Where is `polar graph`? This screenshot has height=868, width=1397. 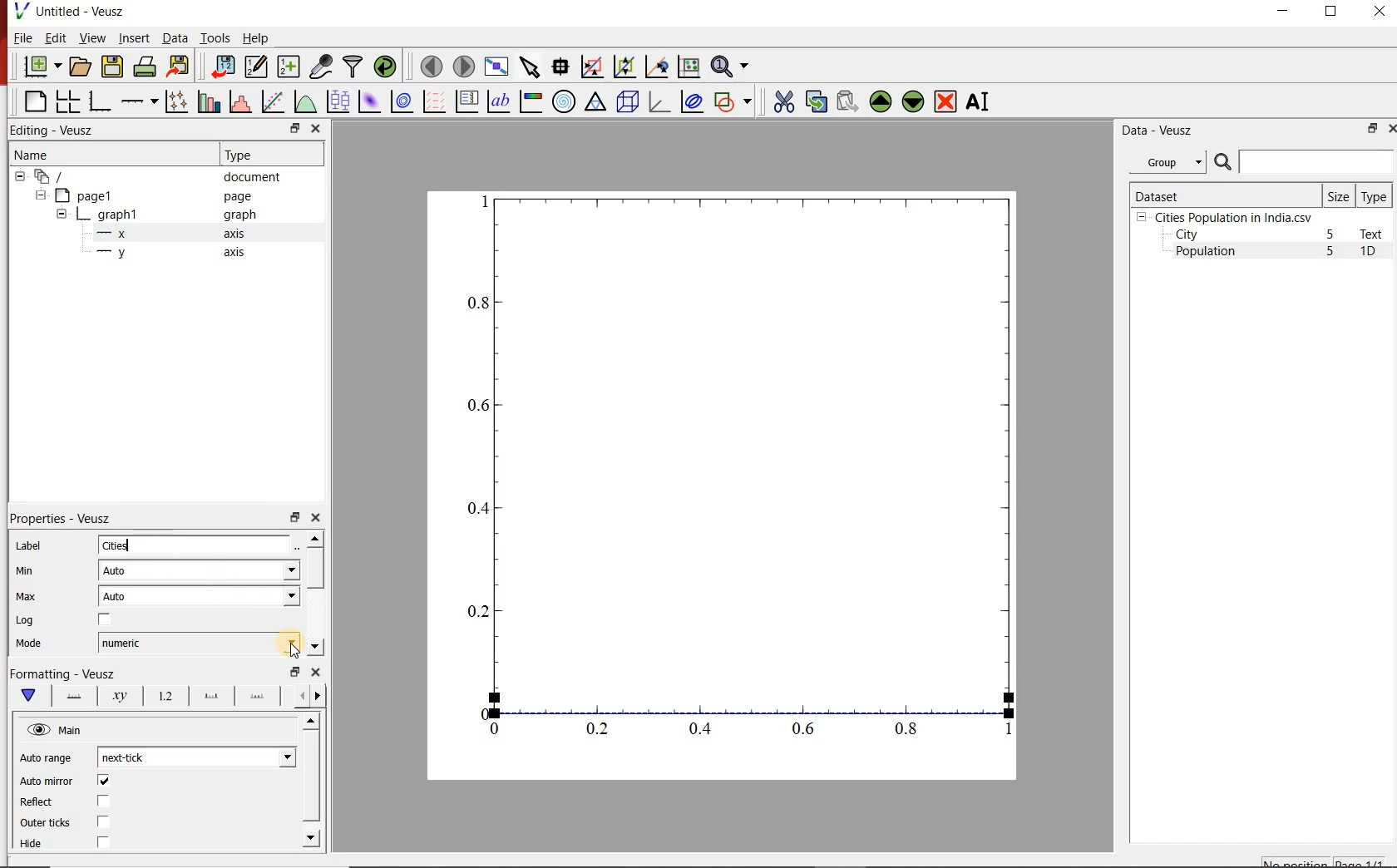
polar graph is located at coordinates (564, 101).